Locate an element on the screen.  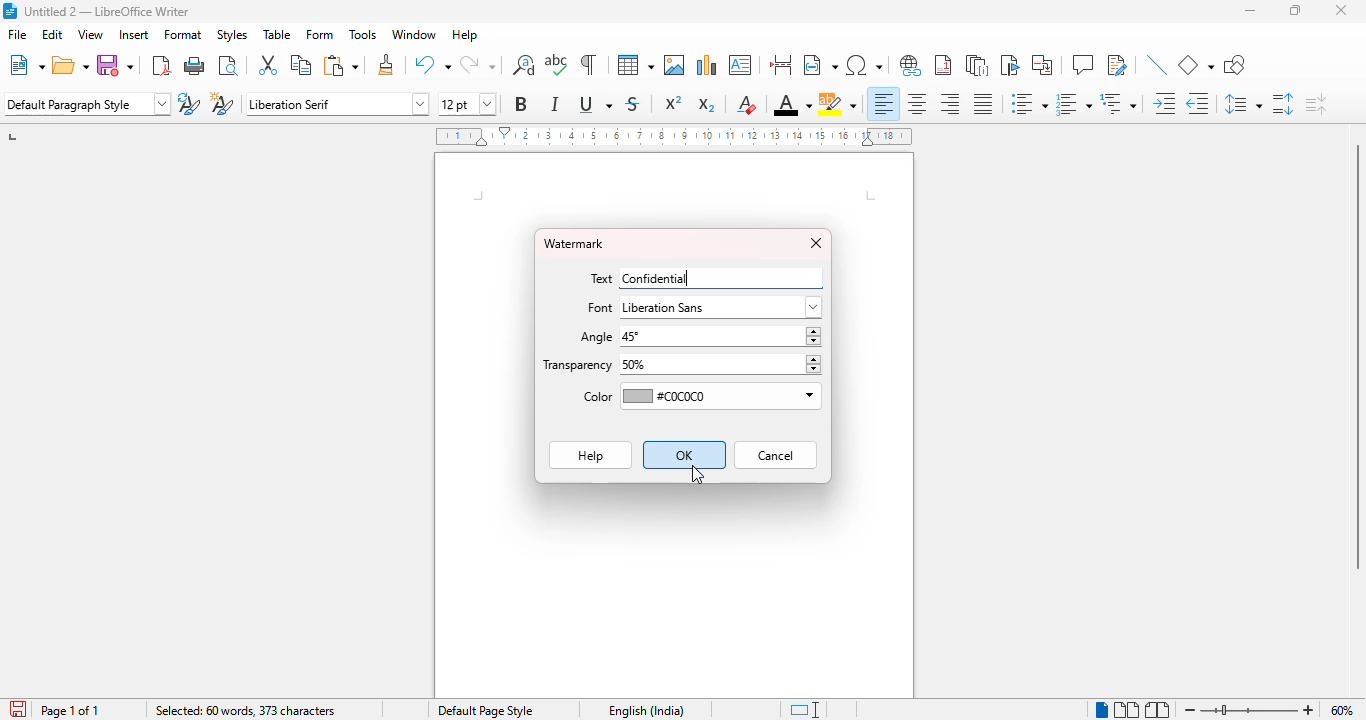
multi-page view is located at coordinates (1126, 709).